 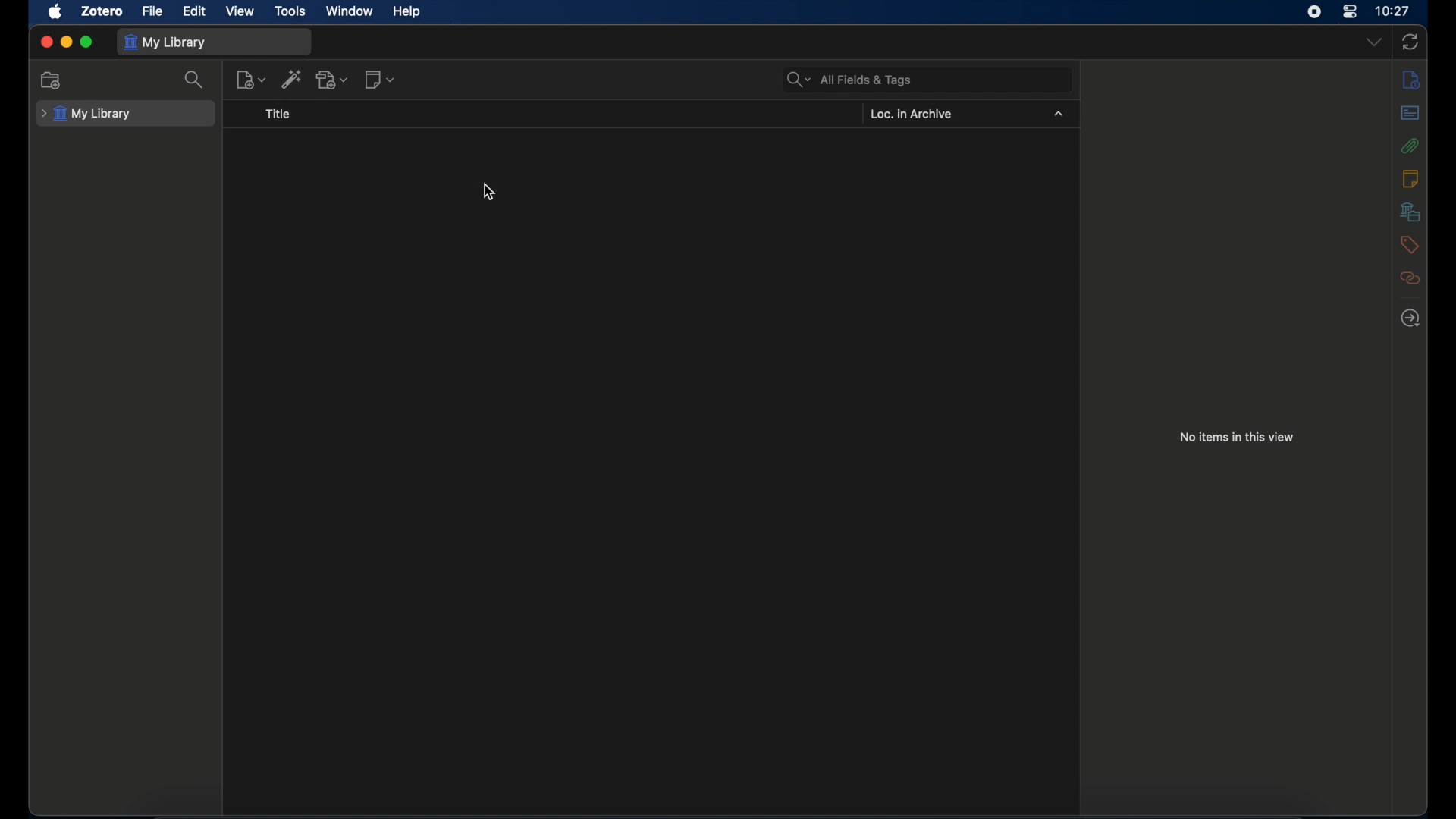 I want to click on new collection, so click(x=51, y=80).